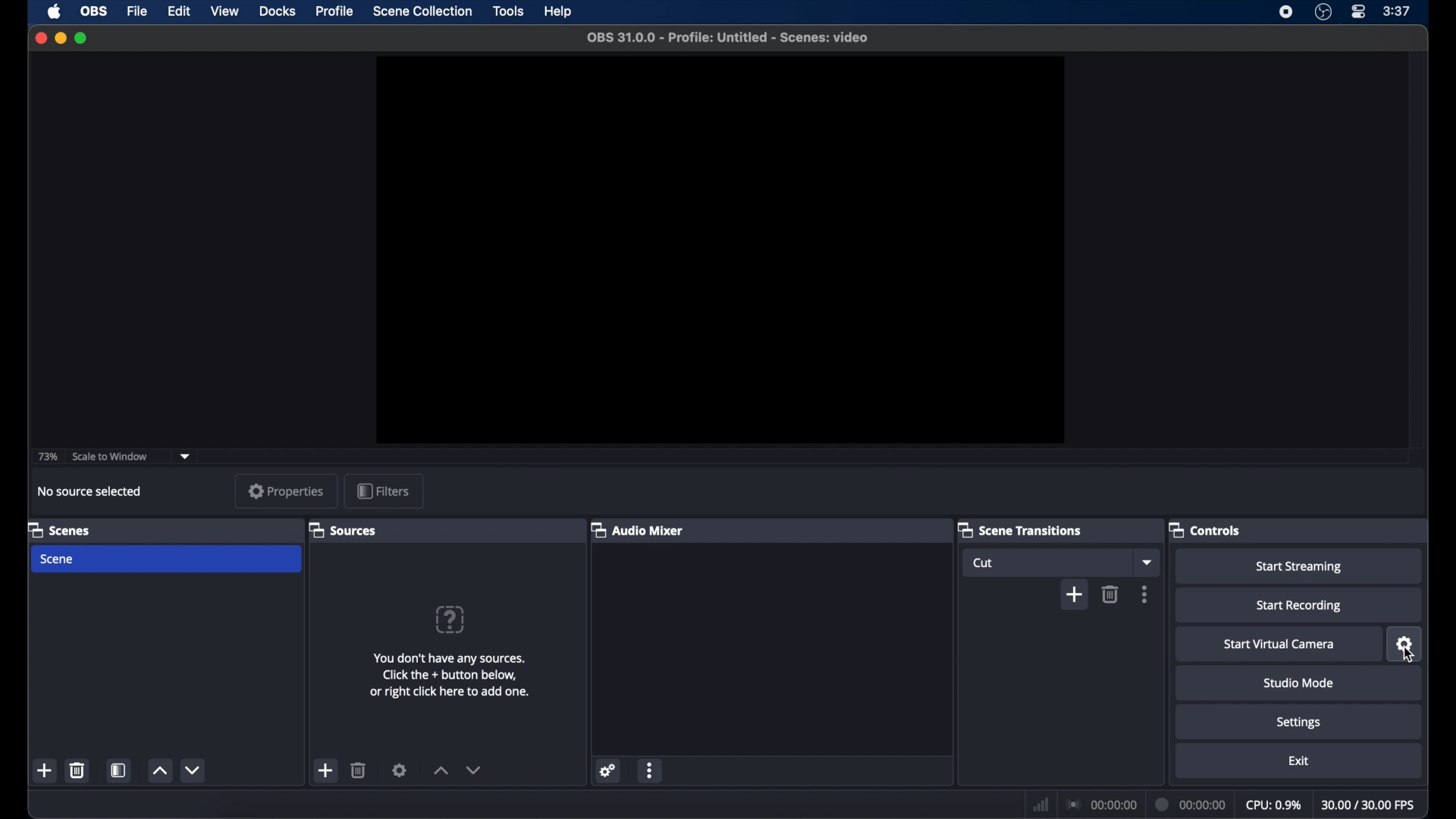  What do you see at coordinates (58, 560) in the screenshot?
I see `scene` at bounding box center [58, 560].